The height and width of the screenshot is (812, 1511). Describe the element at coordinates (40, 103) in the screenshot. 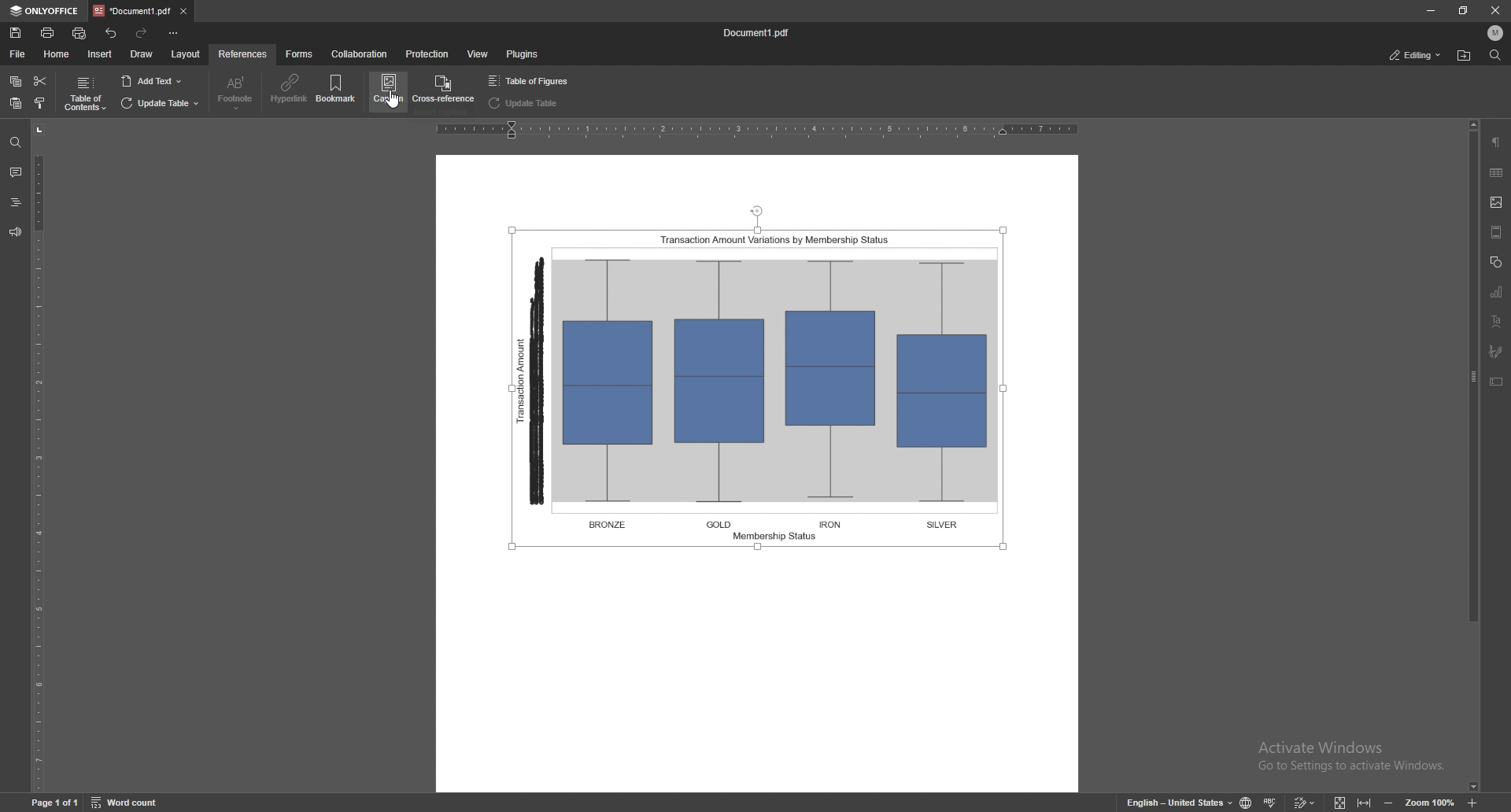

I see `copy style` at that location.